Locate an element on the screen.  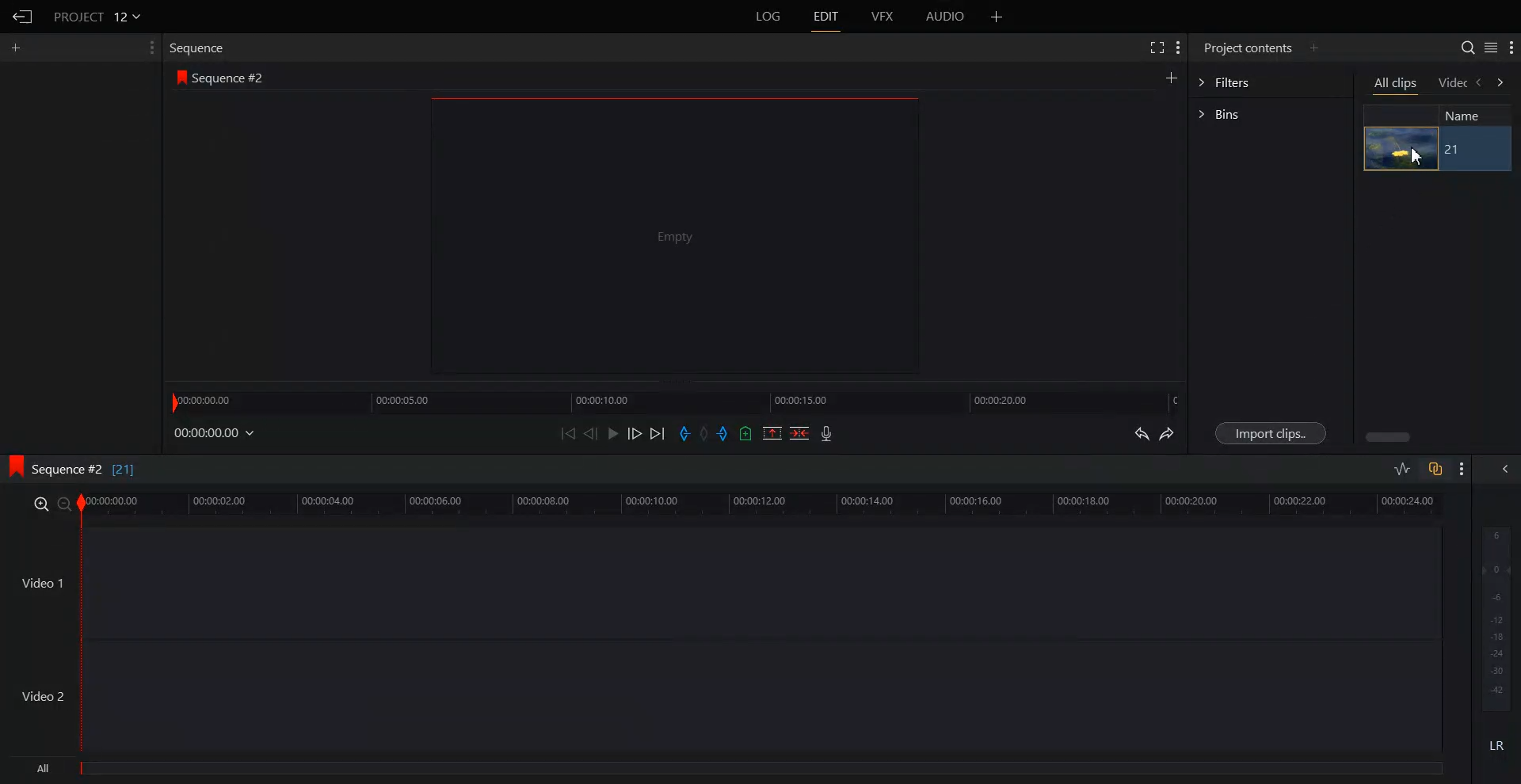
Toggle auto track sync is located at coordinates (1435, 469).